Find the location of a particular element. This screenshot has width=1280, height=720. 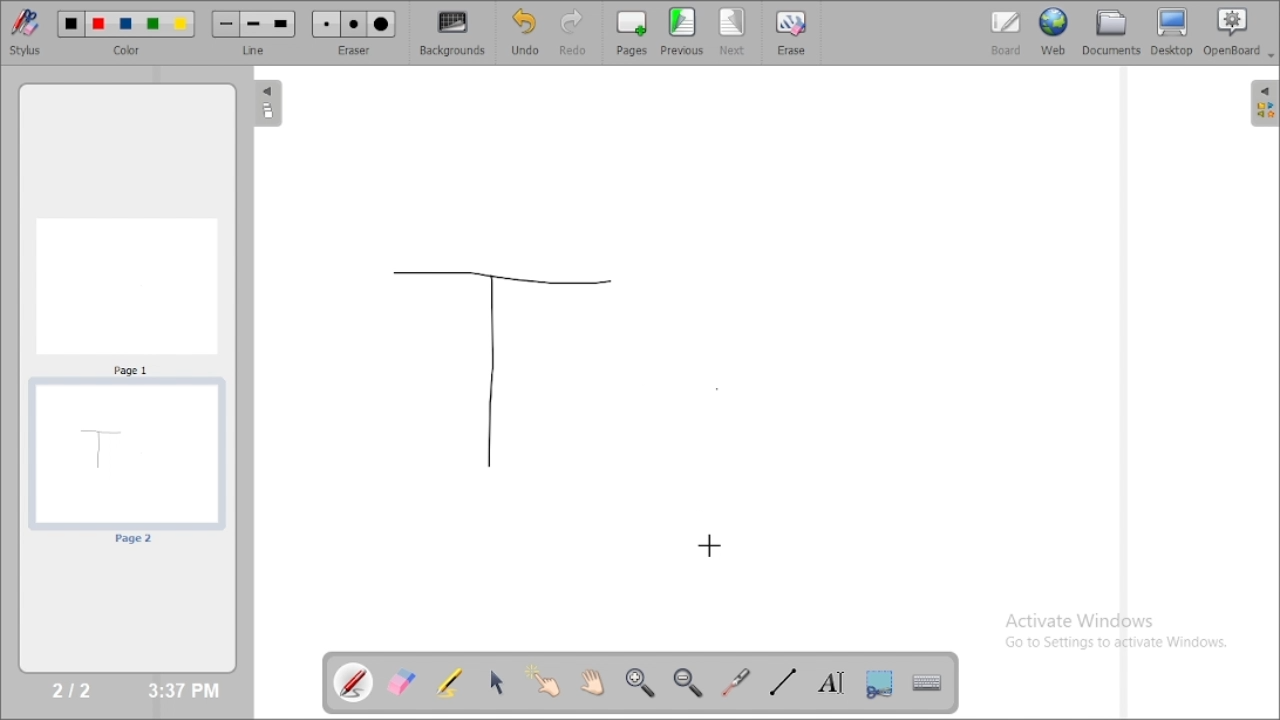

color is located at coordinates (130, 51).